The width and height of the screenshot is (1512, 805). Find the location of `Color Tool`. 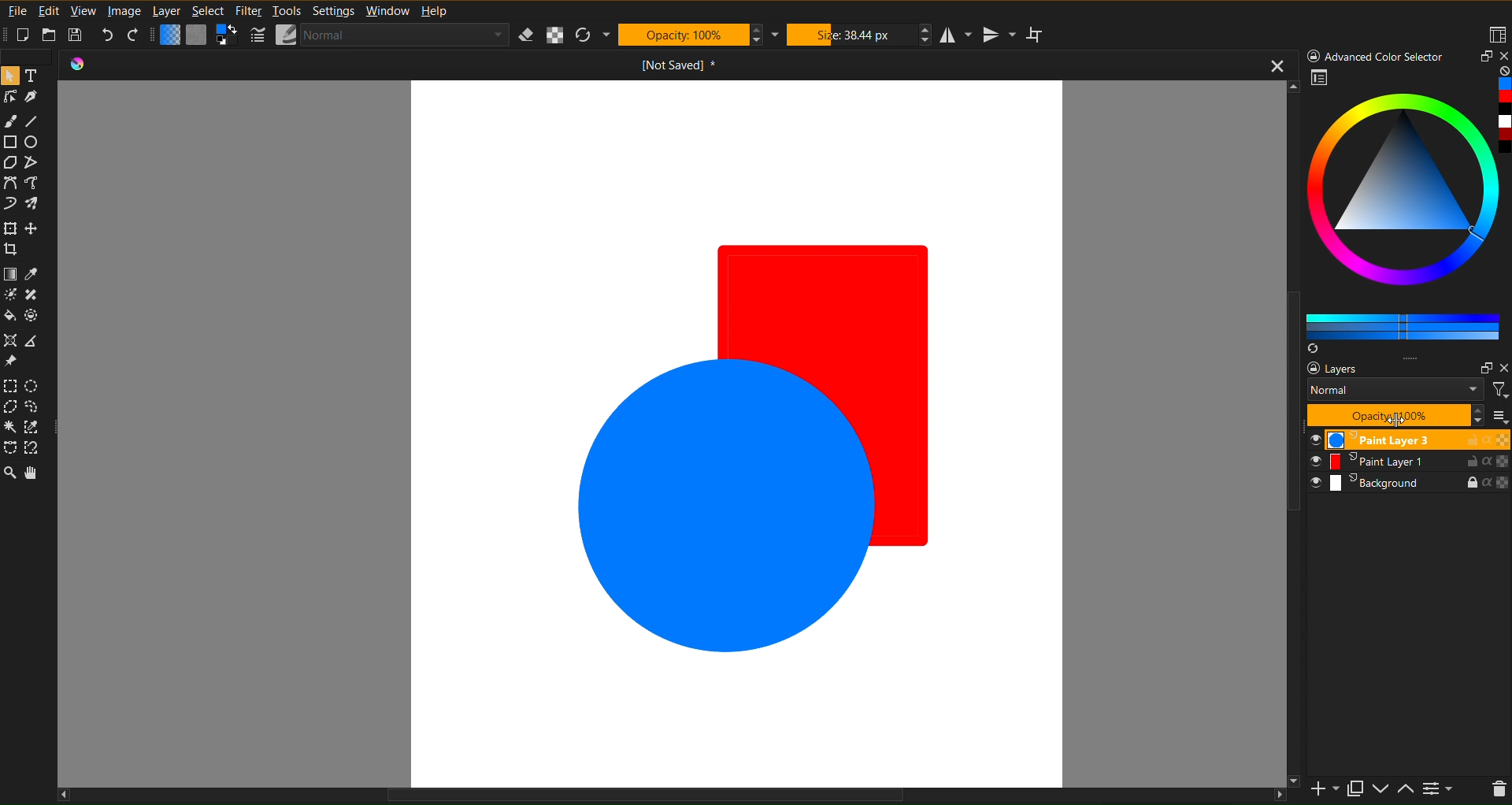

Color Tool is located at coordinates (35, 276).